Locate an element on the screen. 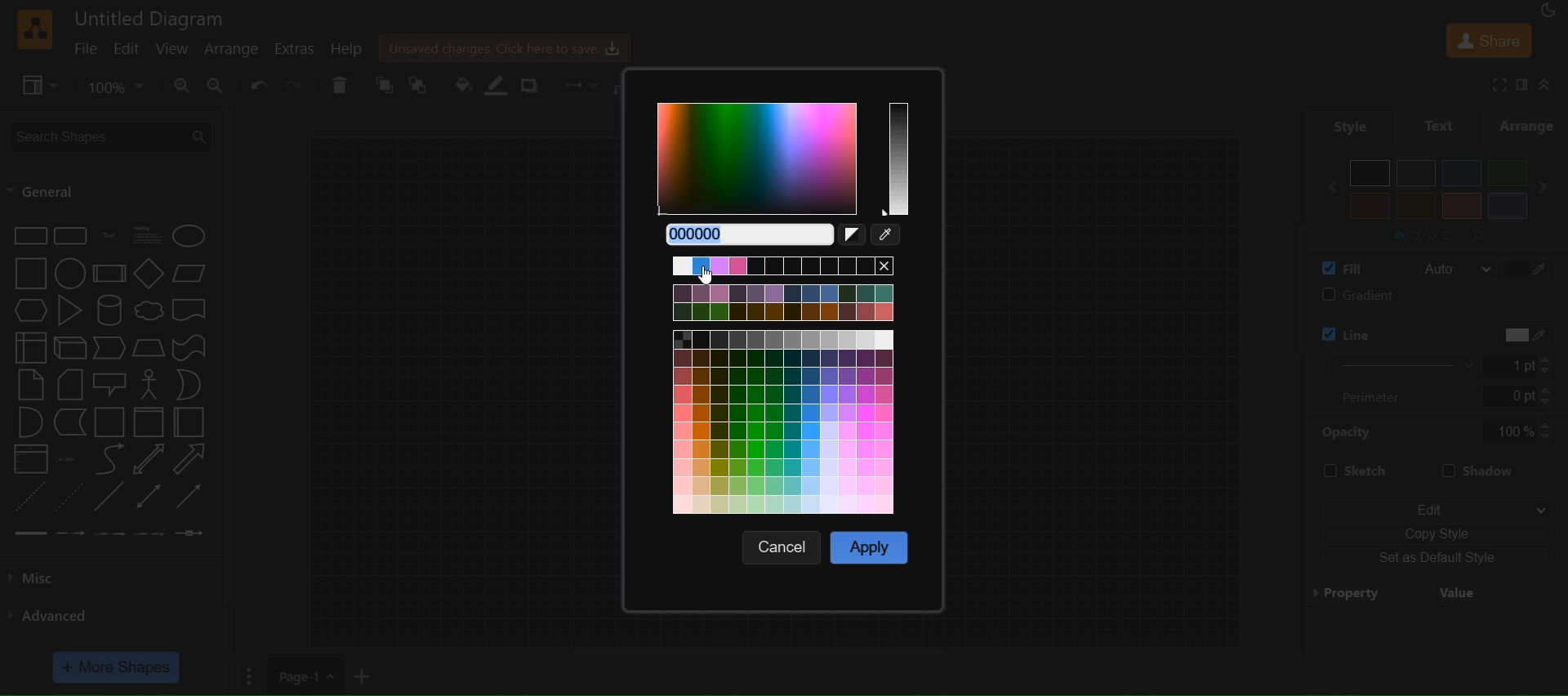  light yellow color is located at coordinates (1415, 206).